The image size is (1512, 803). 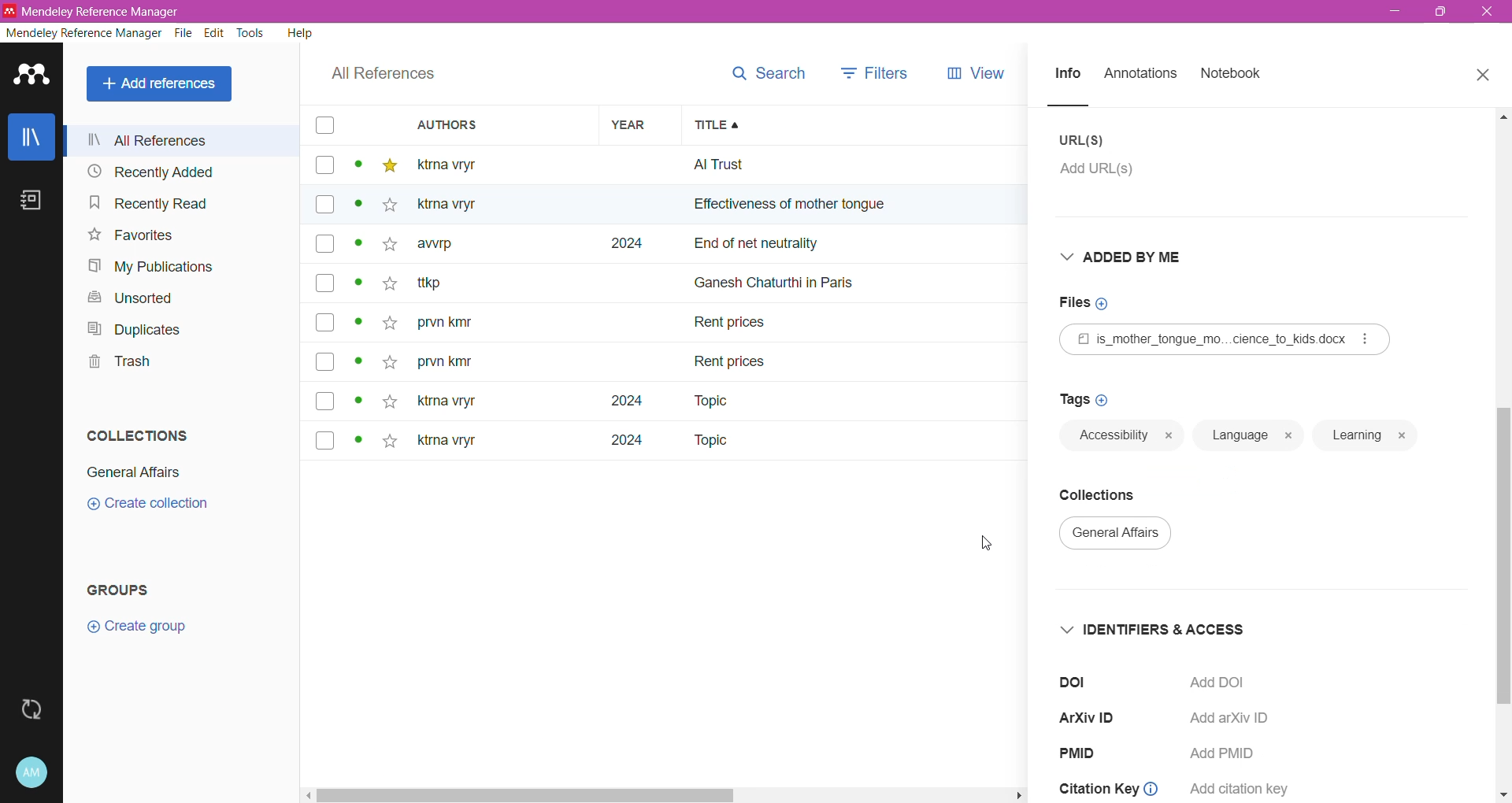 I want to click on Annotations, so click(x=1140, y=75).